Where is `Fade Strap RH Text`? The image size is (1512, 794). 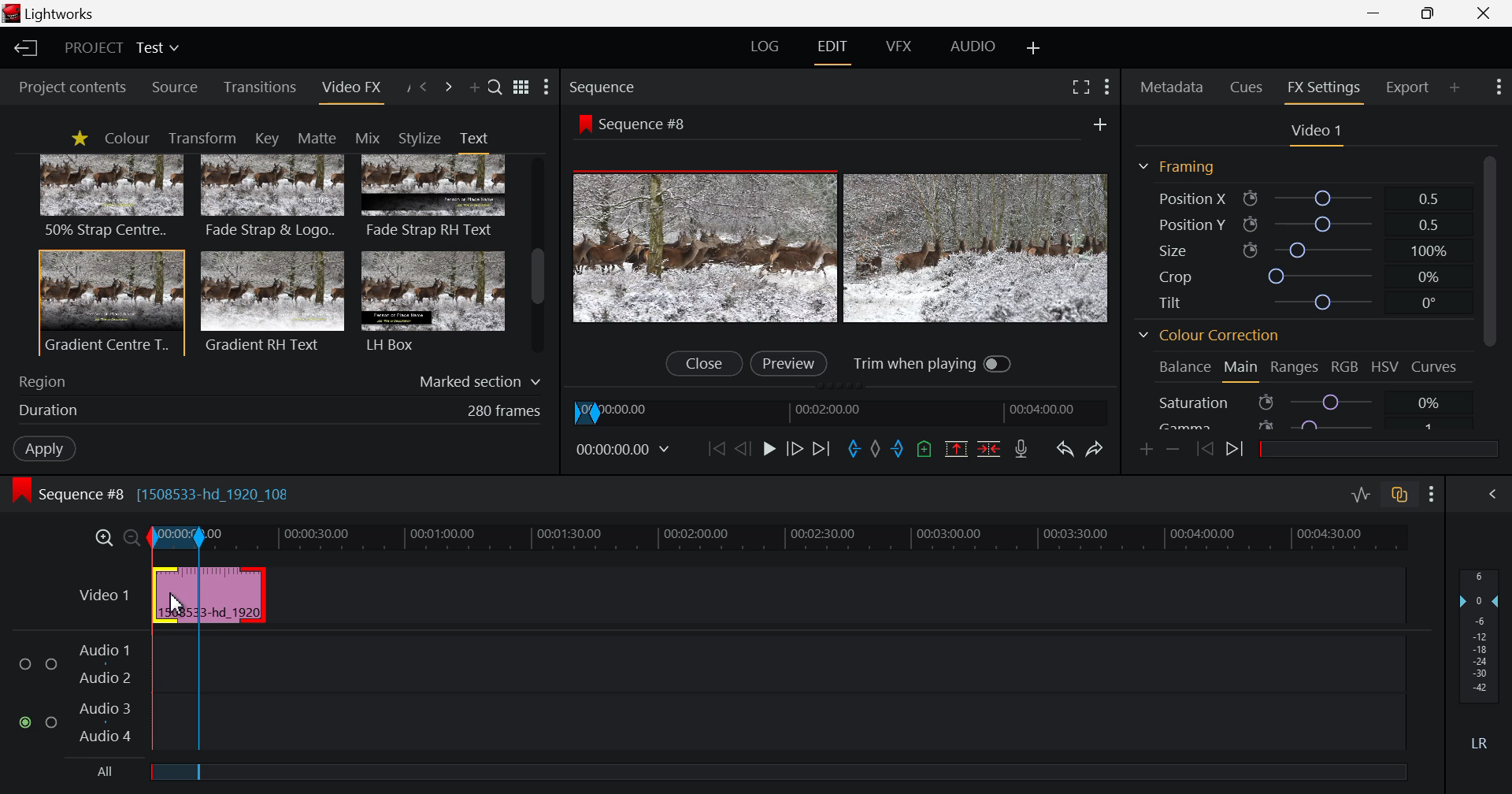 Fade Strap RH Text is located at coordinates (435, 197).